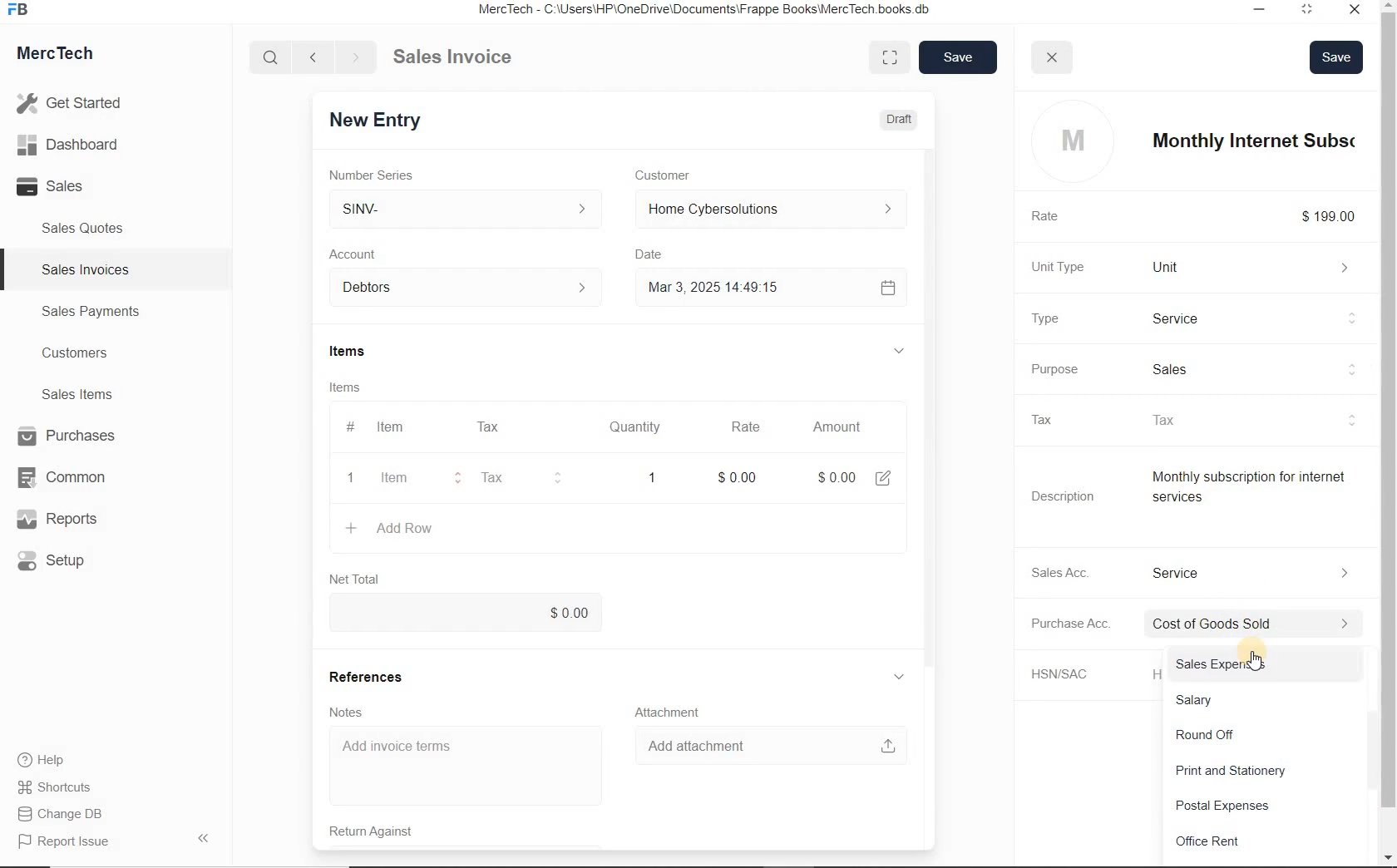 The height and width of the screenshot is (868, 1397). What do you see at coordinates (474, 289) in the screenshot?
I see `Account dropdown` at bounding box center [474, 289].